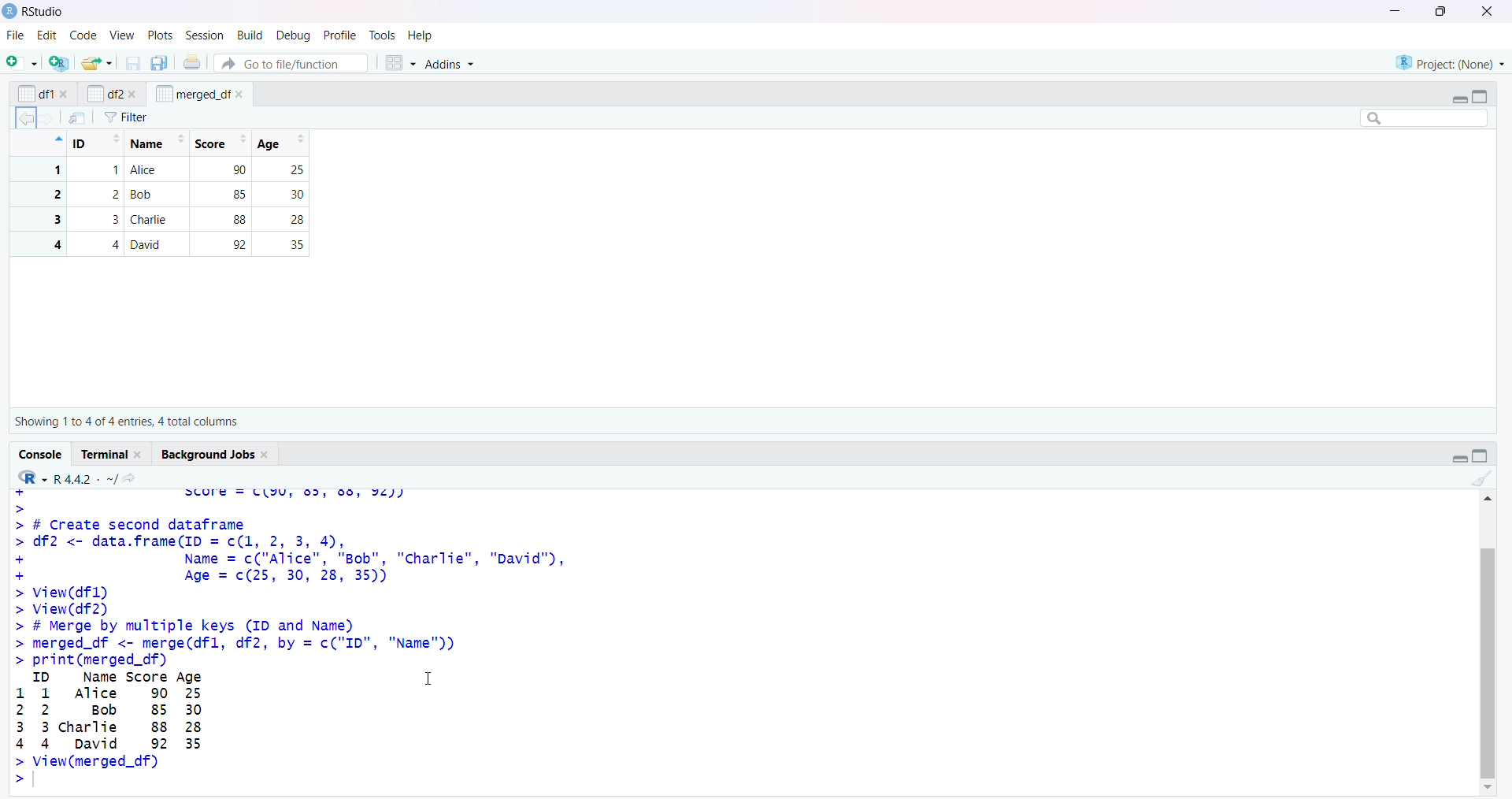  What do you see at coordinates (45, 12) in the screenshot?
I see `RStudio` at bounding box center [45, 12].